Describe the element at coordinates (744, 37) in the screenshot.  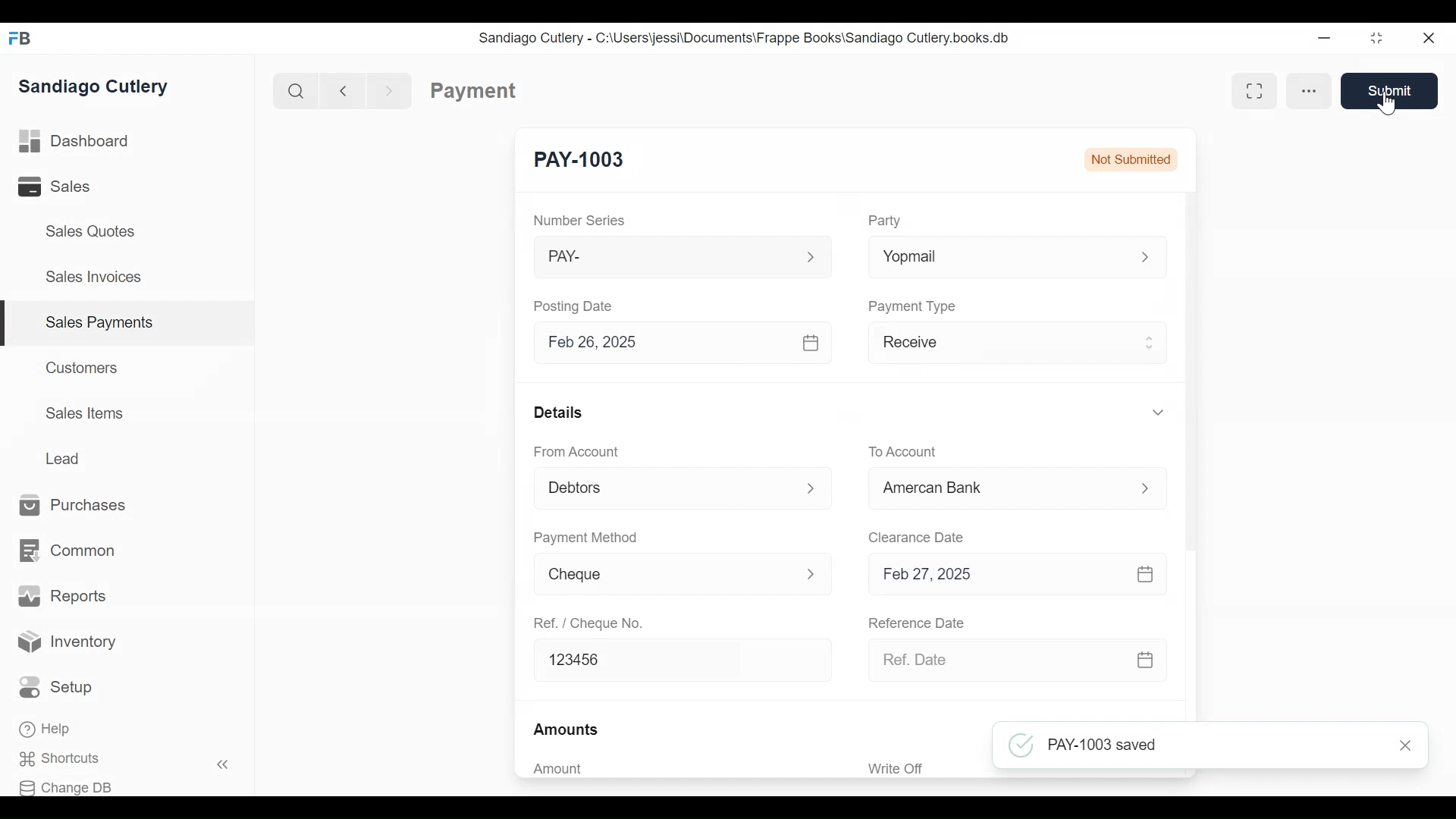
I see `Sandiago Cutlery - C:\Users\jessi\Documents\Frappe Books\Sandiago Cutlery.books.db` at that location.